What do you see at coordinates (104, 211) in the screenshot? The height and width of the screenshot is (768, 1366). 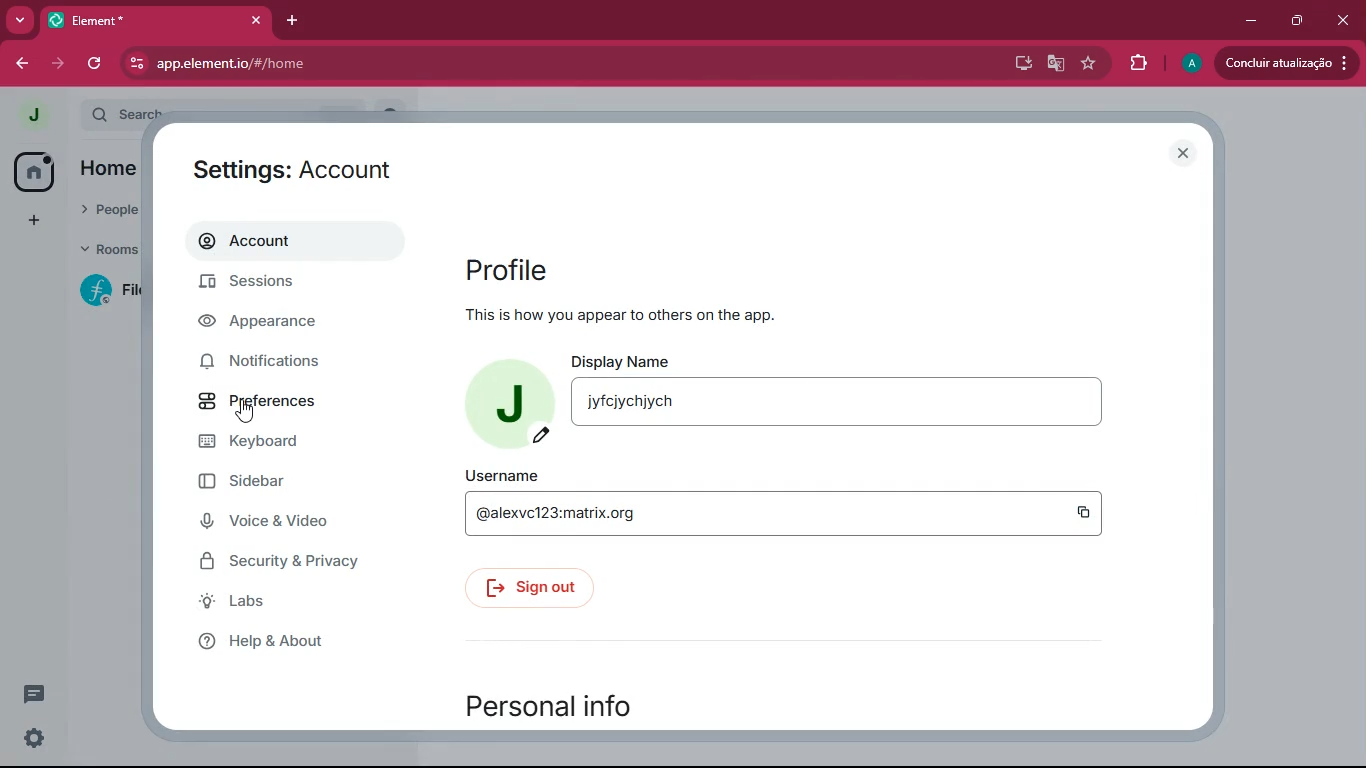 I see `people` at bounding box center [104, 211].